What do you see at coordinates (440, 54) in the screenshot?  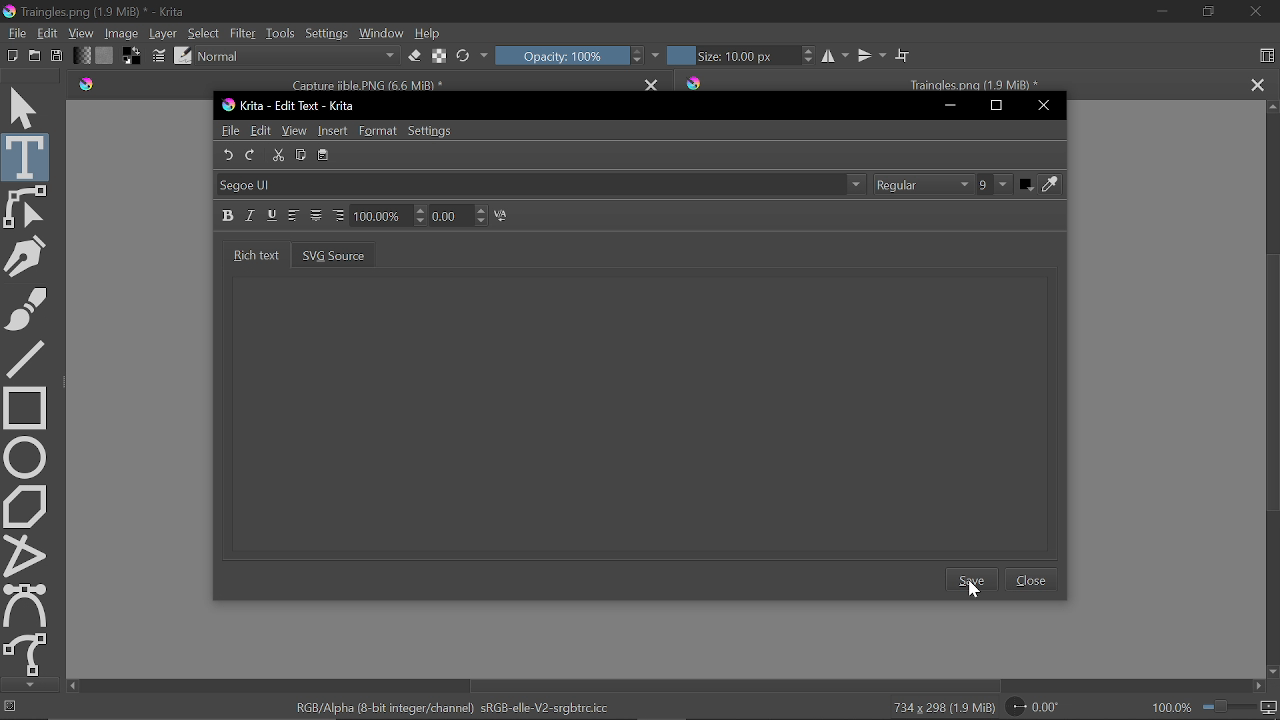 I see `Preserve Alpha` at bounding box center [440, 54].